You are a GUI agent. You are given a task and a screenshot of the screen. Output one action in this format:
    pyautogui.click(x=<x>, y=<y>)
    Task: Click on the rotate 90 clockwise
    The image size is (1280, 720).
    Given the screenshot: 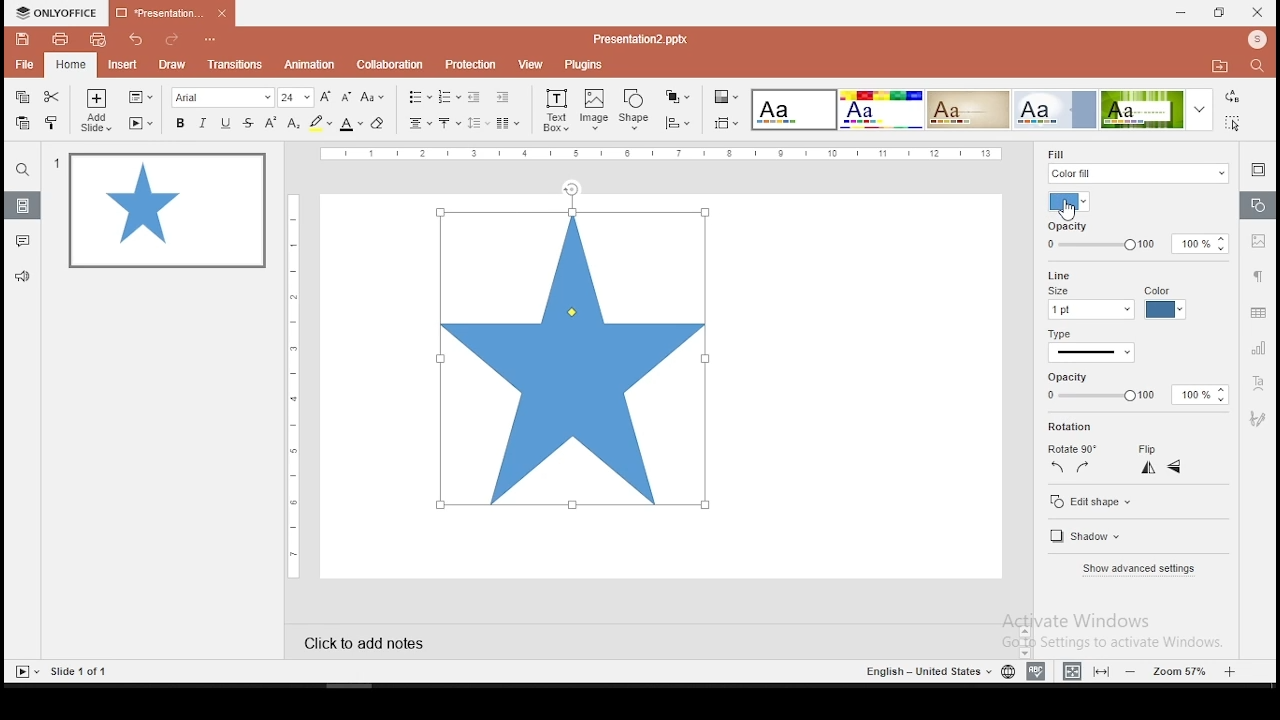 What is the action you would take?
    pyautogui.click(x=1083, y=467)
    